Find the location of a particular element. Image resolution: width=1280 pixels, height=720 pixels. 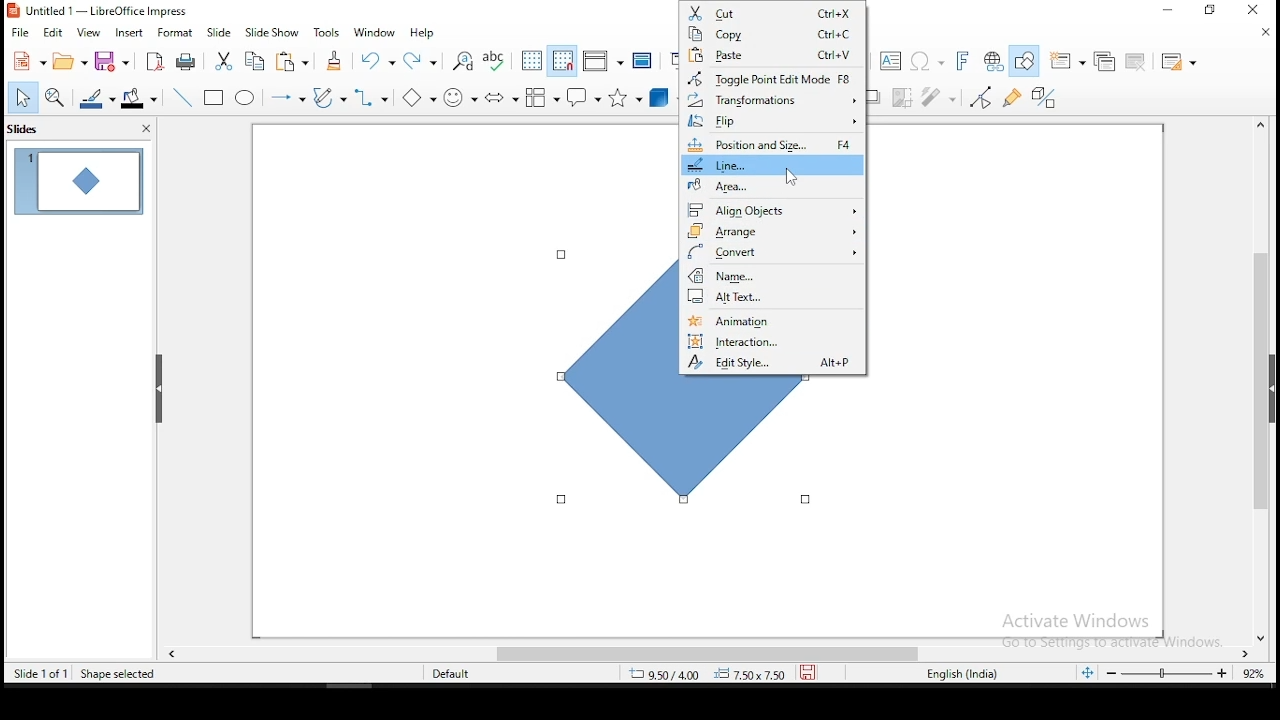

scroll right is located at coordinates (1249, 651).